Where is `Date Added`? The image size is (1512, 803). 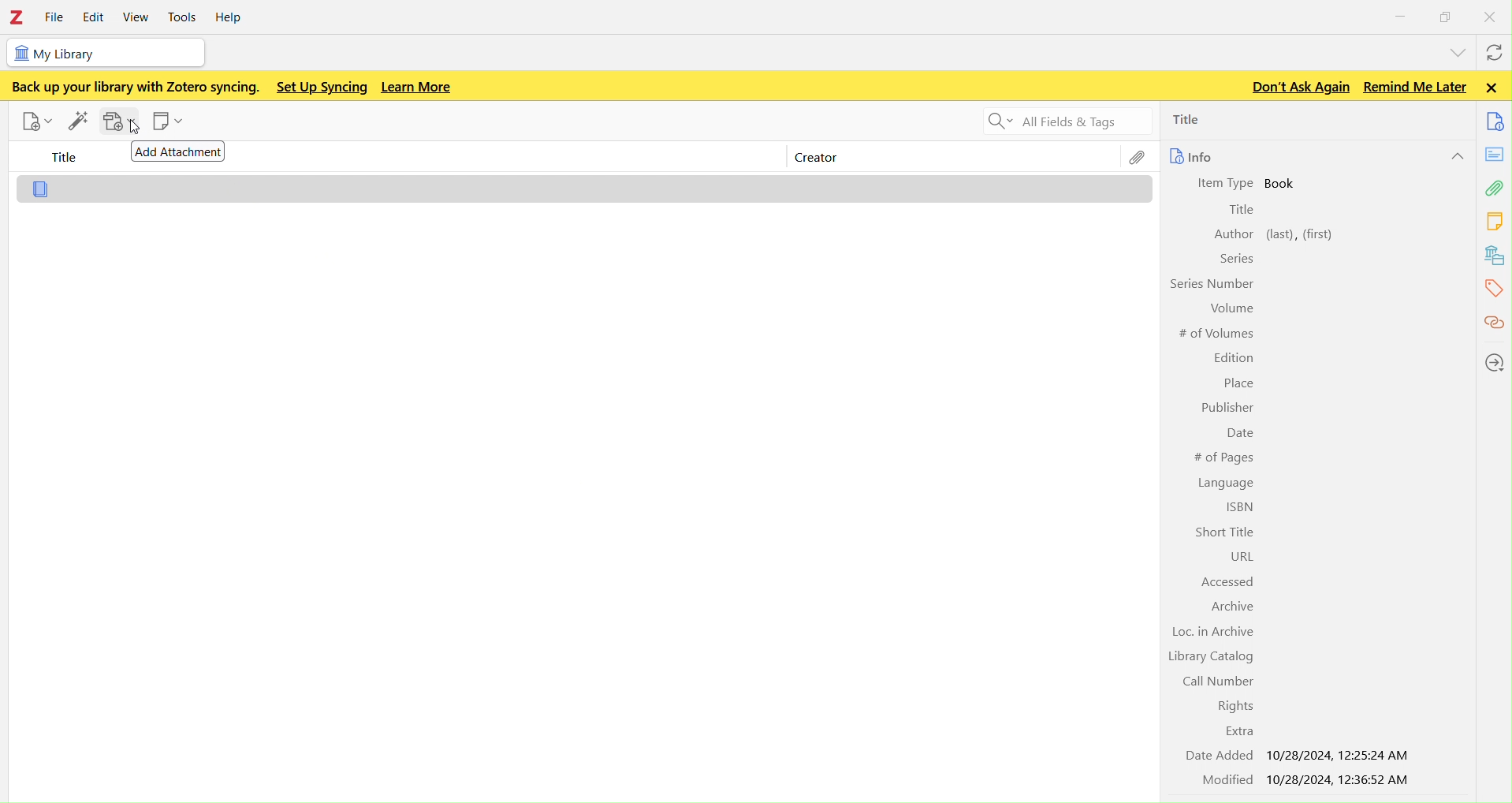
Date Added is located at coordinates (1216, 756).